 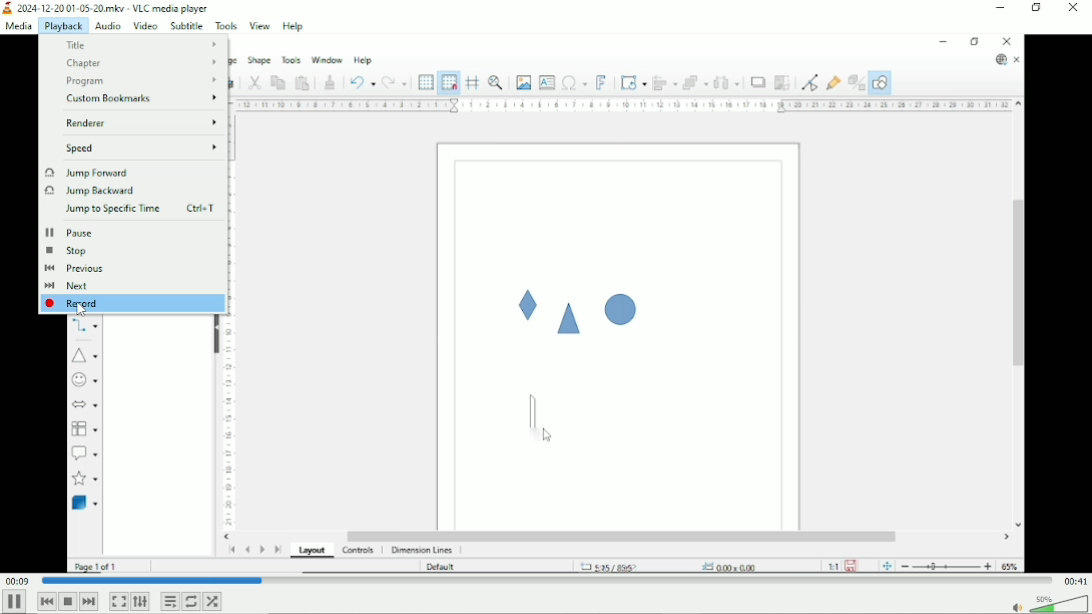 What do you see at coordinates (68, 601) in the screenshot?
I see `Stop playlist` at bounding box center [68, 601].